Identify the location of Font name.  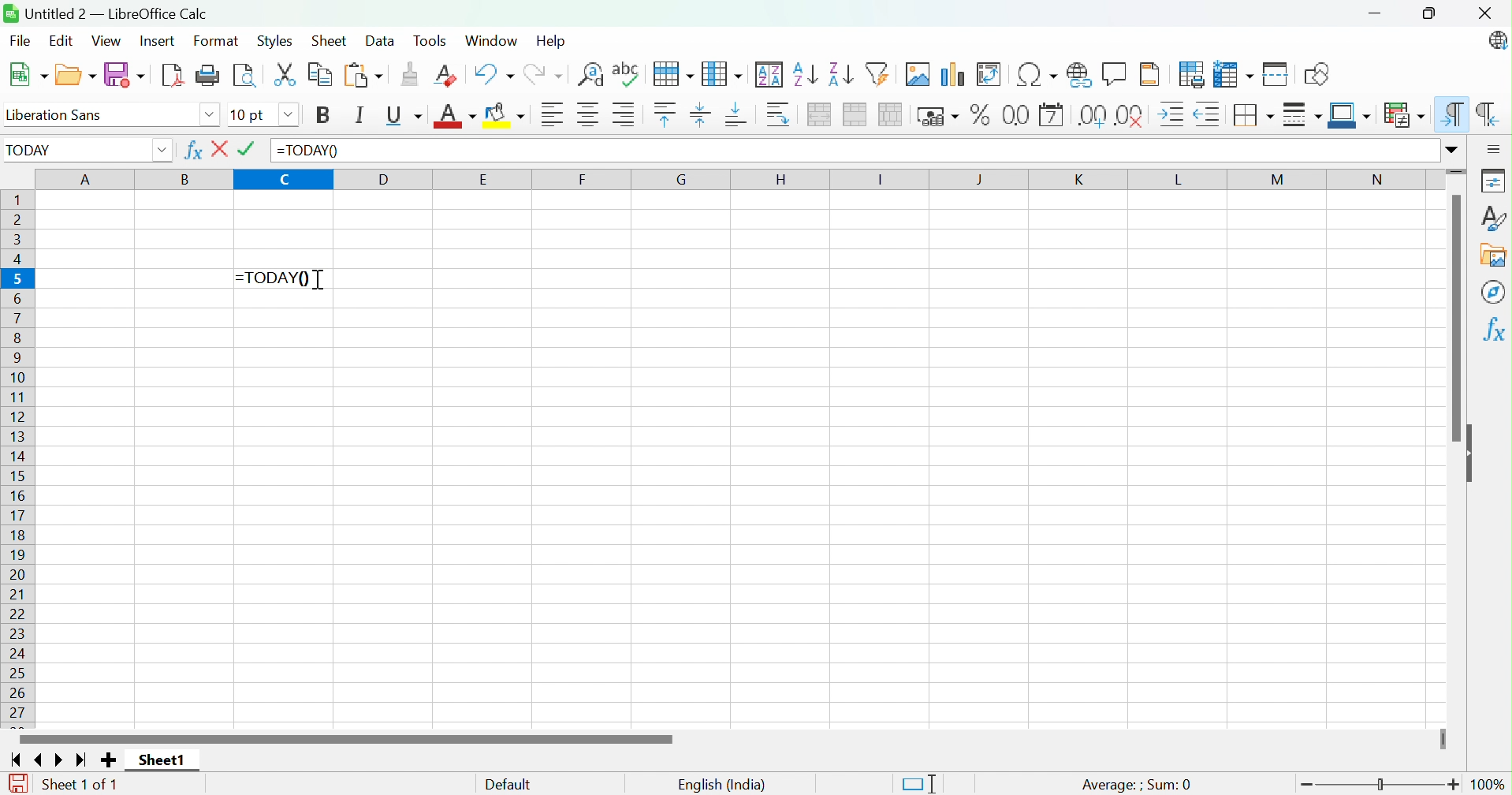
(101, 117).